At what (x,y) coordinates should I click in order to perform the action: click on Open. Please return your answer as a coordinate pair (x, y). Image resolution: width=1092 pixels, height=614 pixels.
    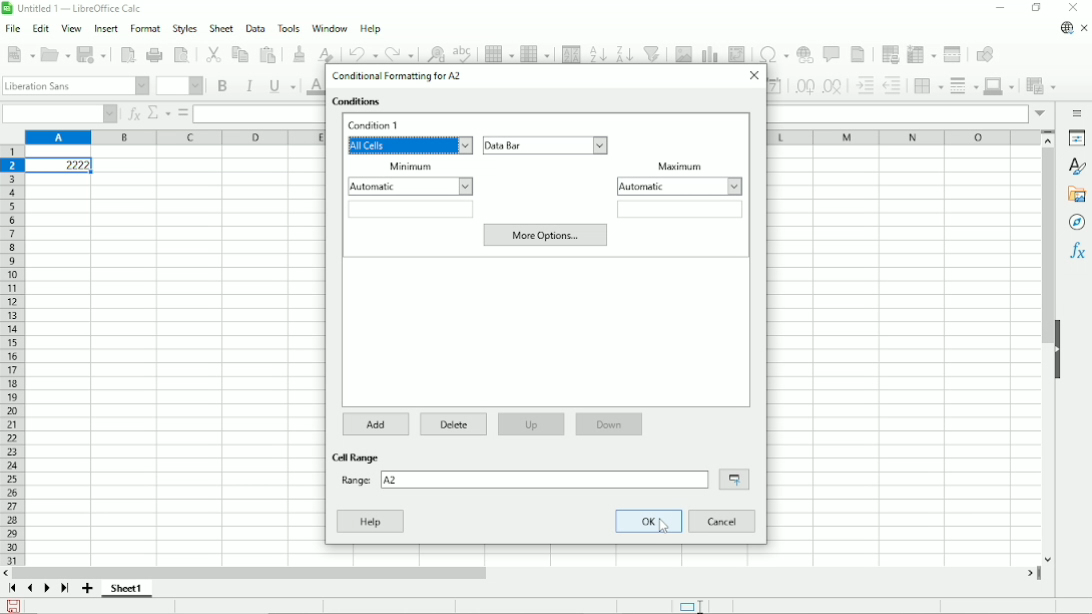
    Looking at the image, I should click on (56, 54).